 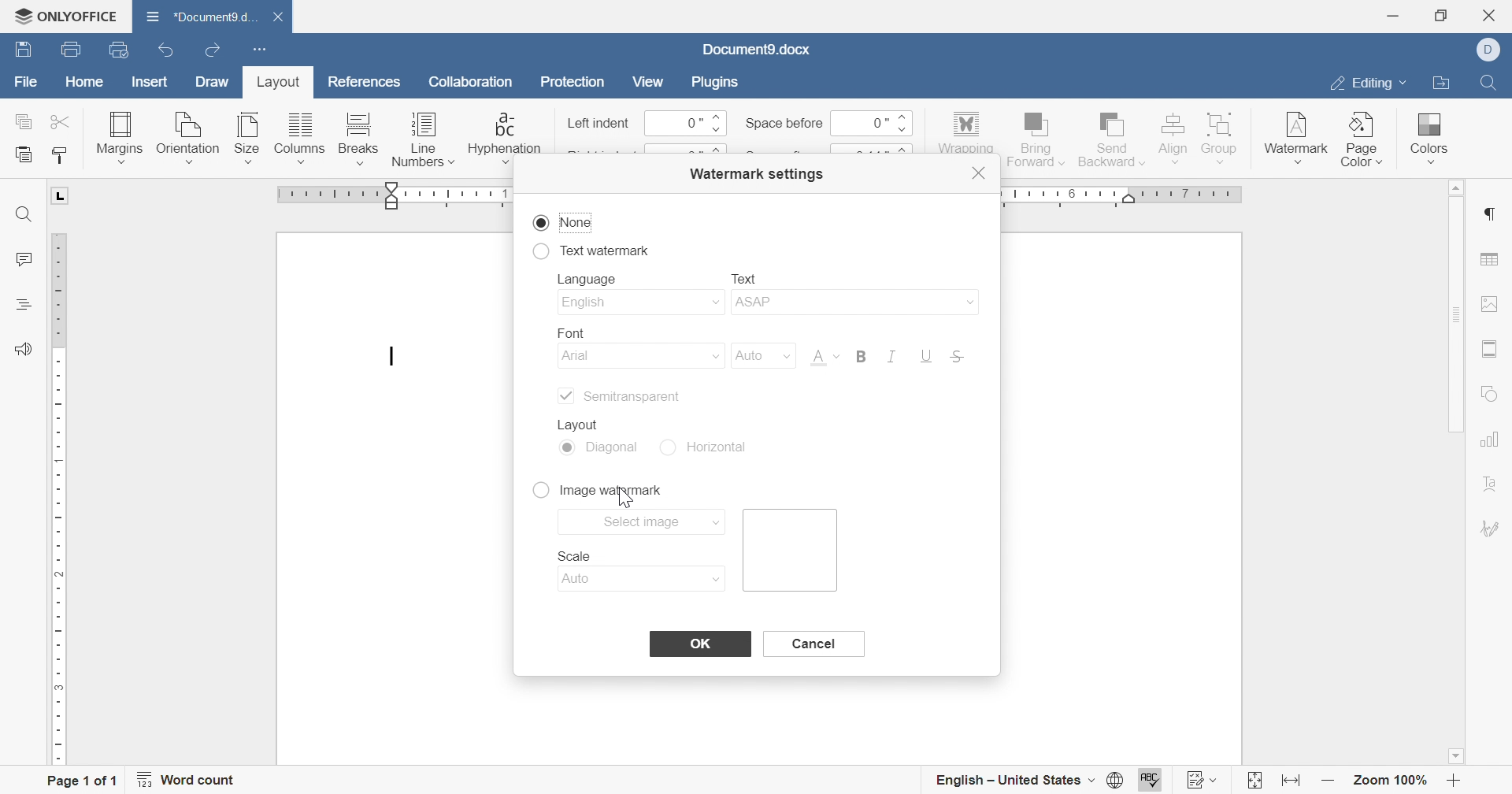 I want to click on underline, so click(x=926, y=357).